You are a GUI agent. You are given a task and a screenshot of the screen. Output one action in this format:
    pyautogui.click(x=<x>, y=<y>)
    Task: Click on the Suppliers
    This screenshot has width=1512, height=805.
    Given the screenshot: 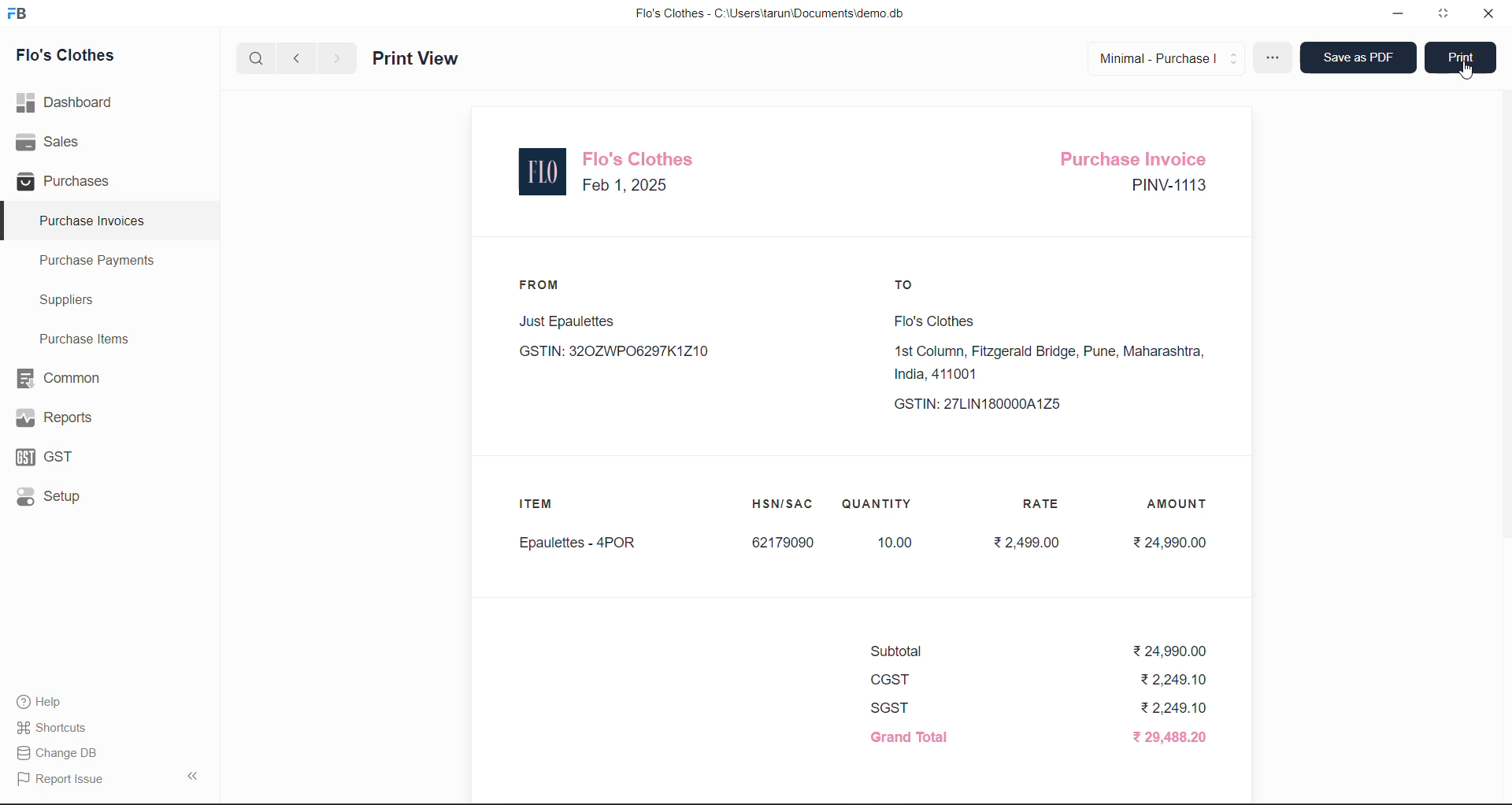 What is the action you would take?
    pyautogui.click(x=76, y=302)
    